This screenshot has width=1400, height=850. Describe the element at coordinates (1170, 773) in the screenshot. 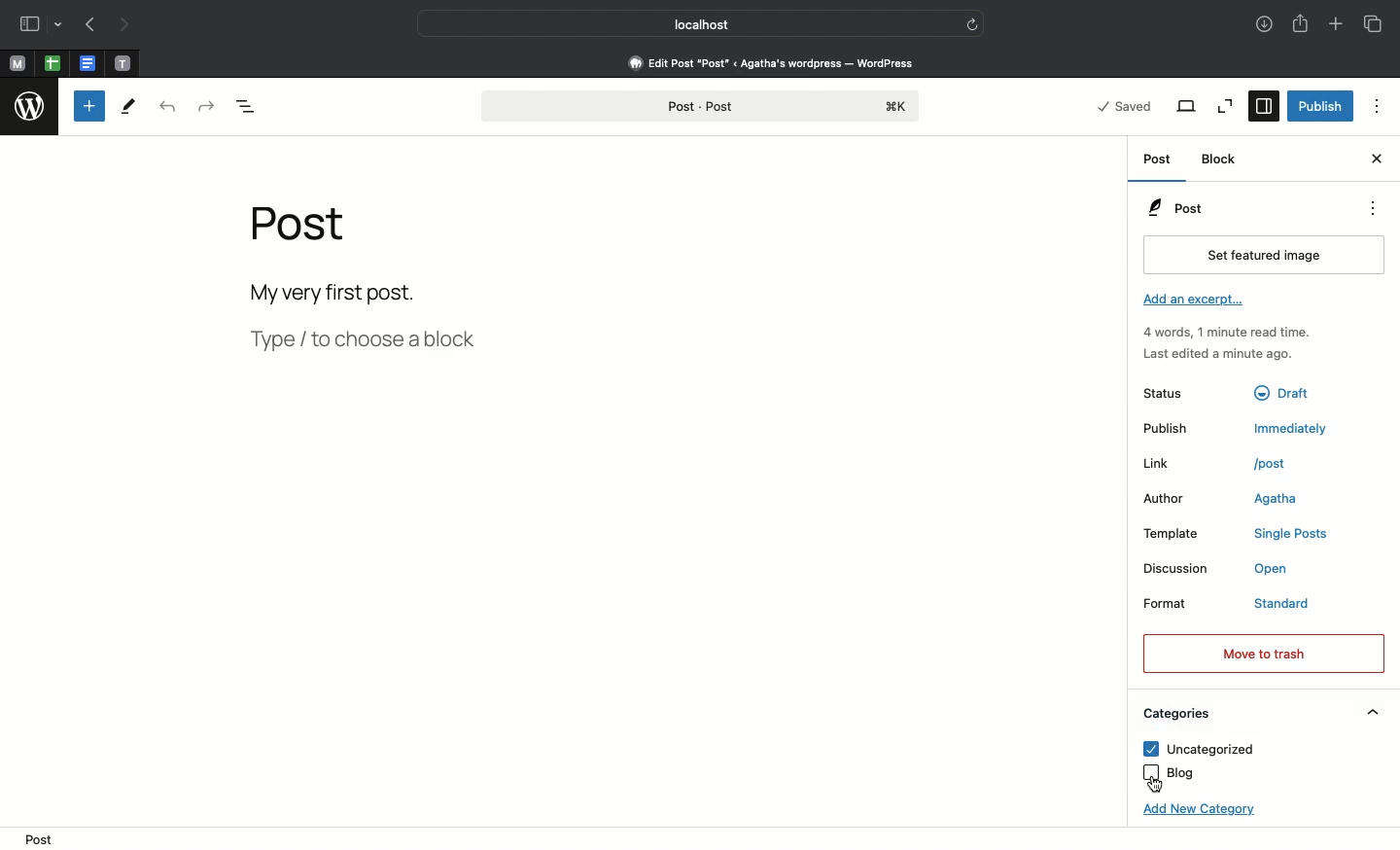

I see `Blog` at that location.